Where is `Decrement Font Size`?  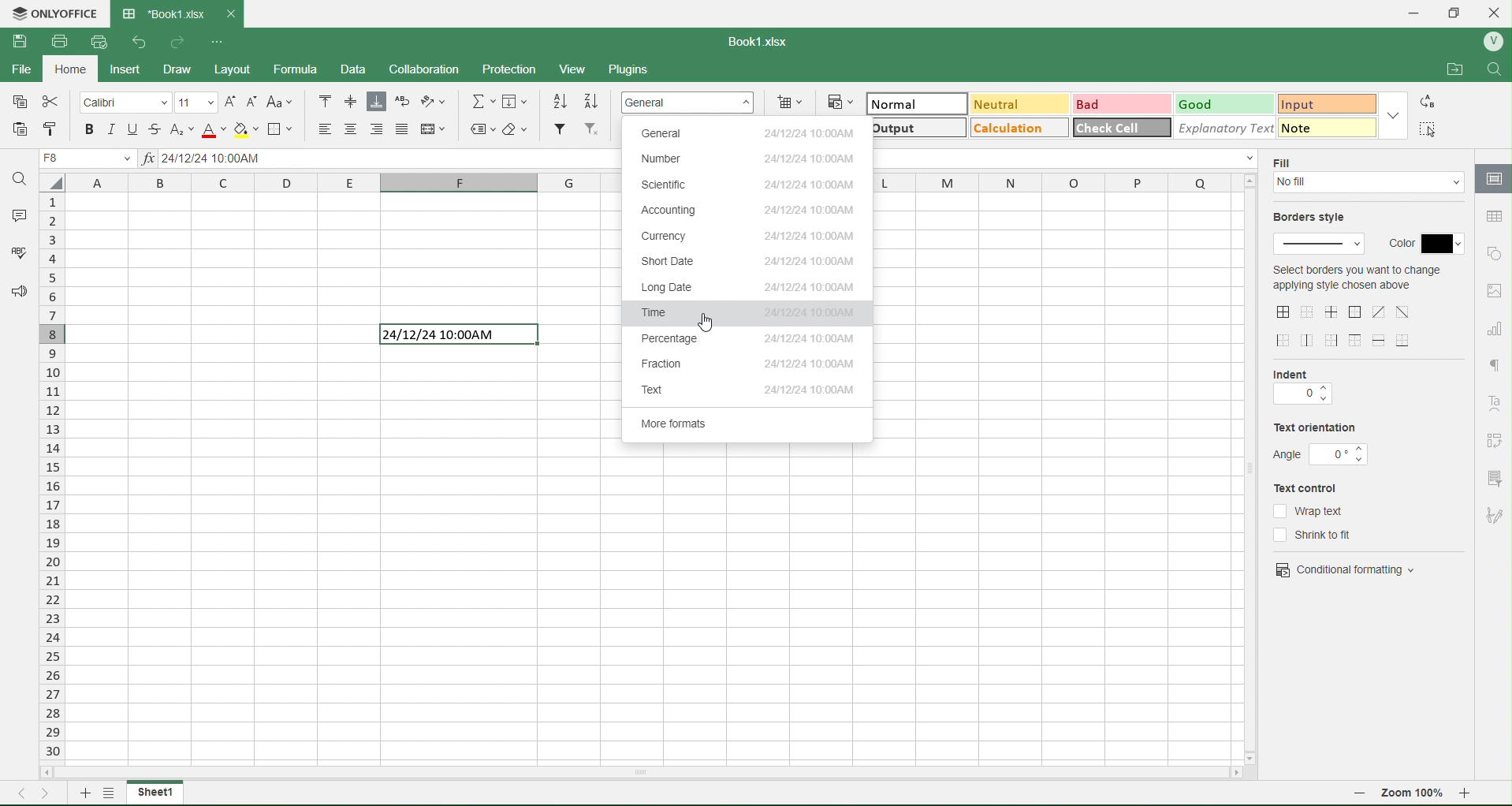 Decrement Font Size is located at coordinates (252, 100).